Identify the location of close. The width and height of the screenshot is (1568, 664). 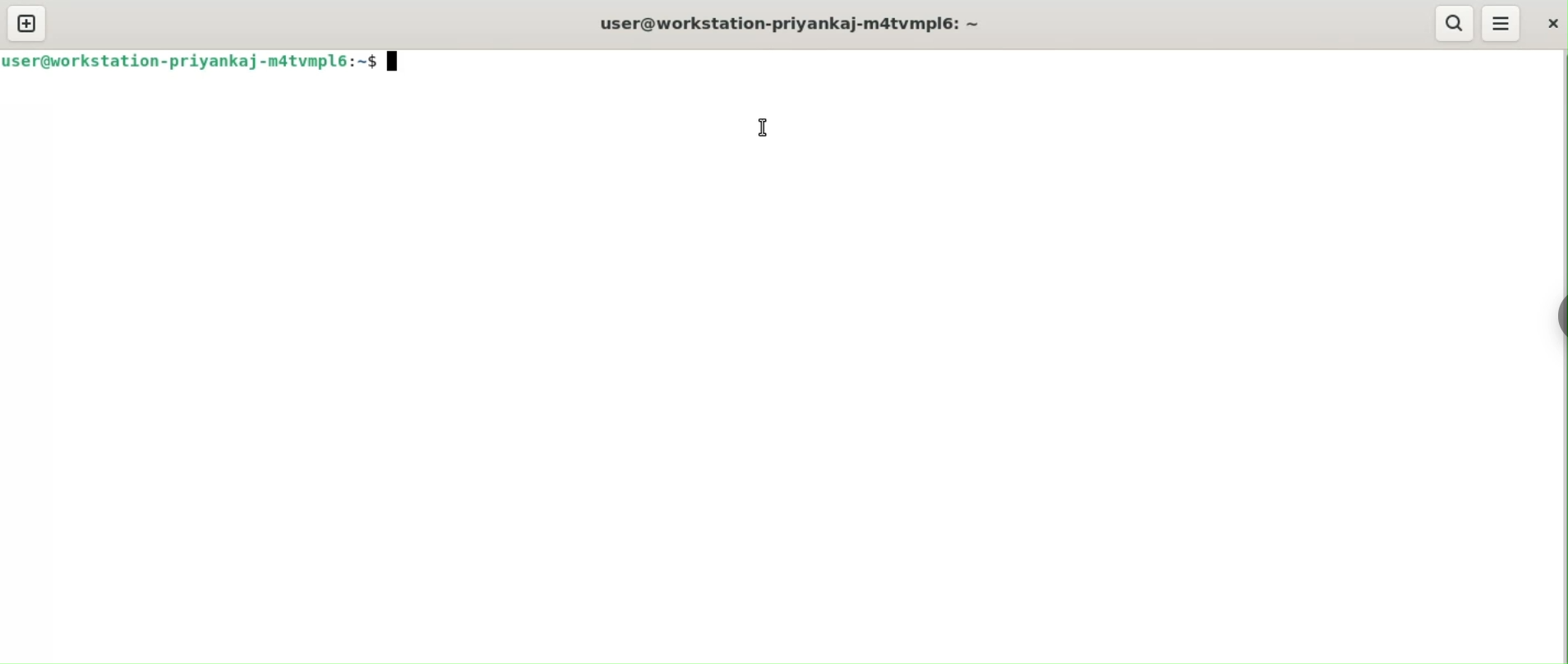
(1554, 24).